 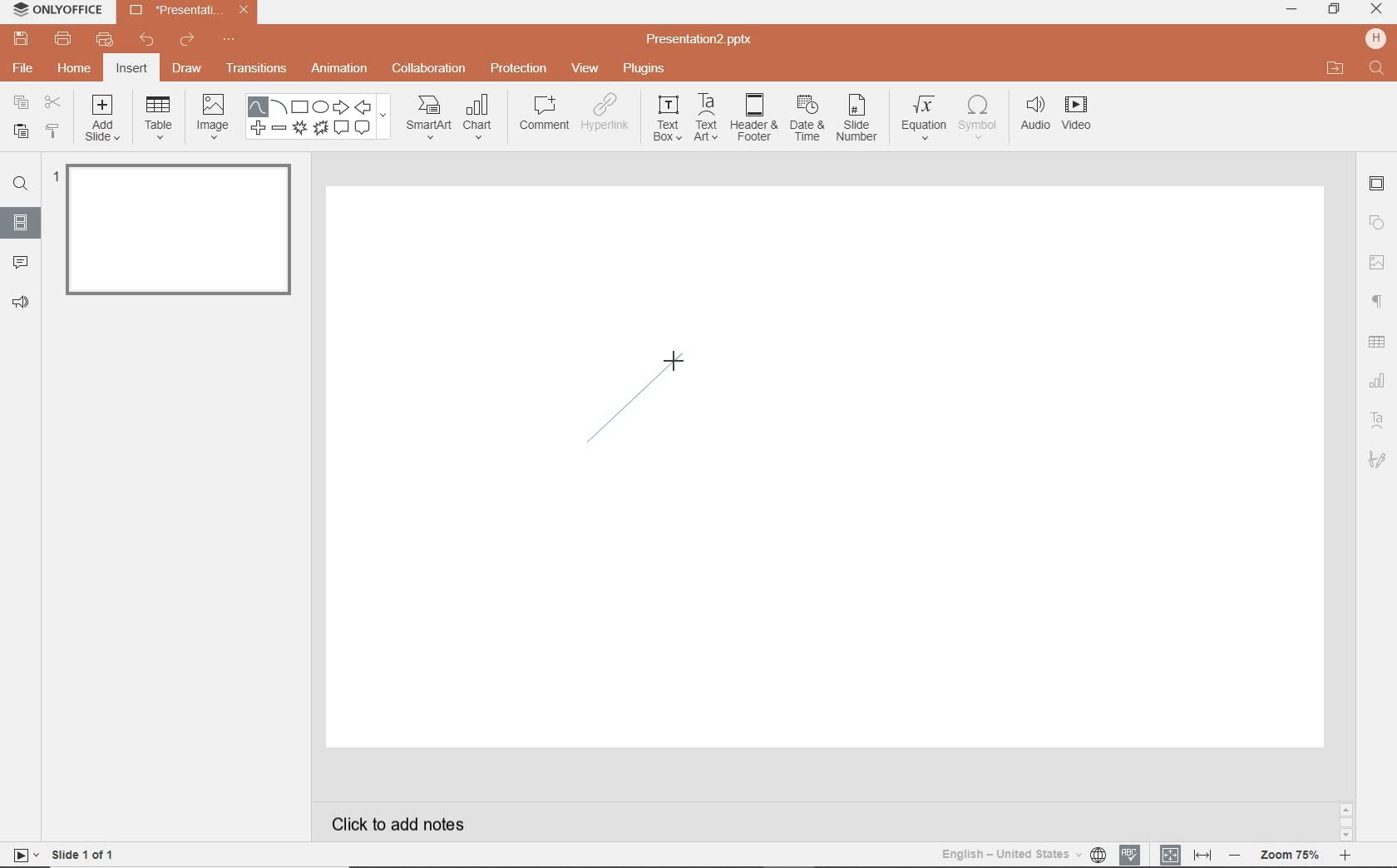 What do you see at coordinates (807, 121) in the screenshot?
I see `DATE & TIME` at bounding box center [807, 121].